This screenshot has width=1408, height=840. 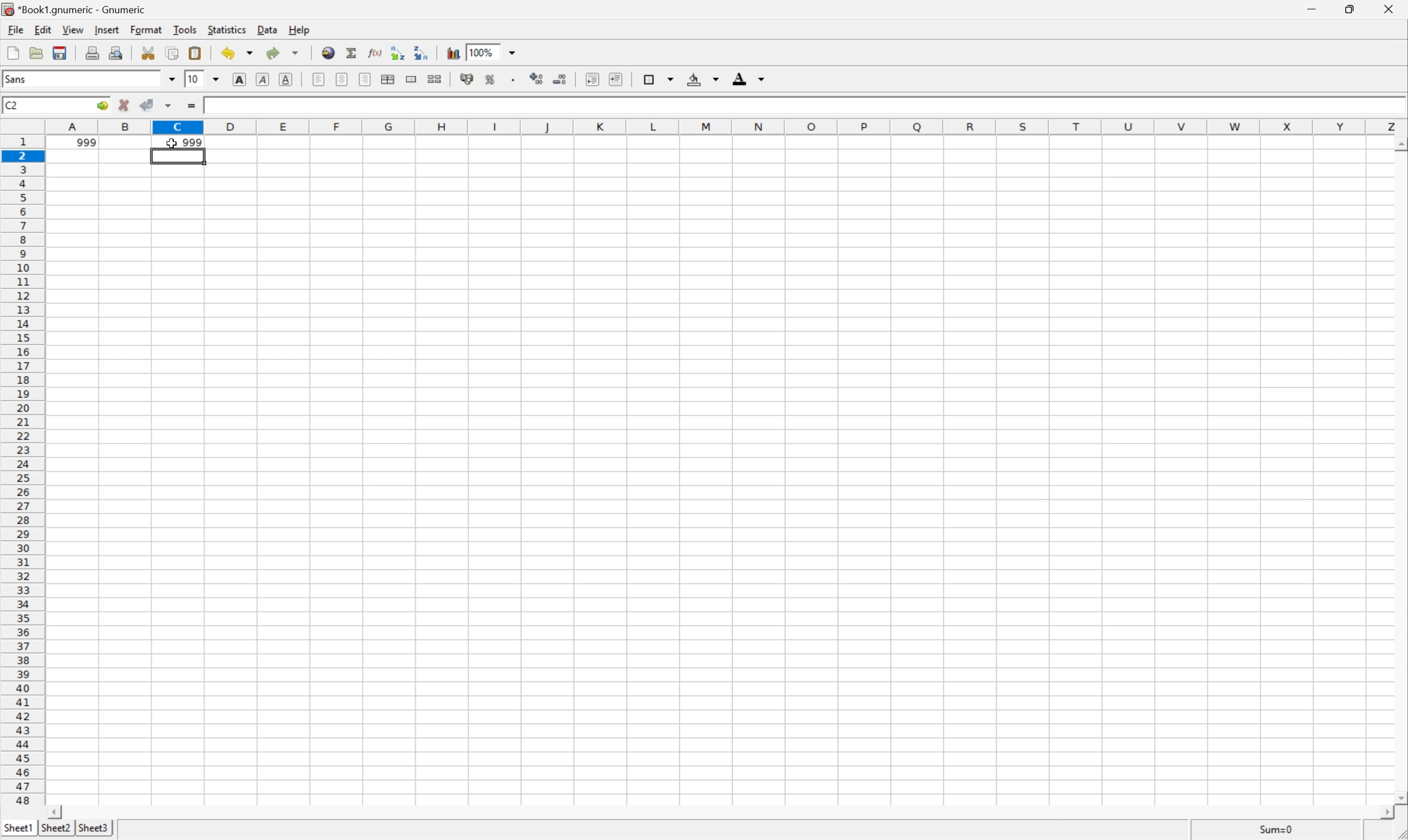 What do you see at coordinates (168, 143) in the screenshot?
I see `cursor` at bounding box center [168, 143].